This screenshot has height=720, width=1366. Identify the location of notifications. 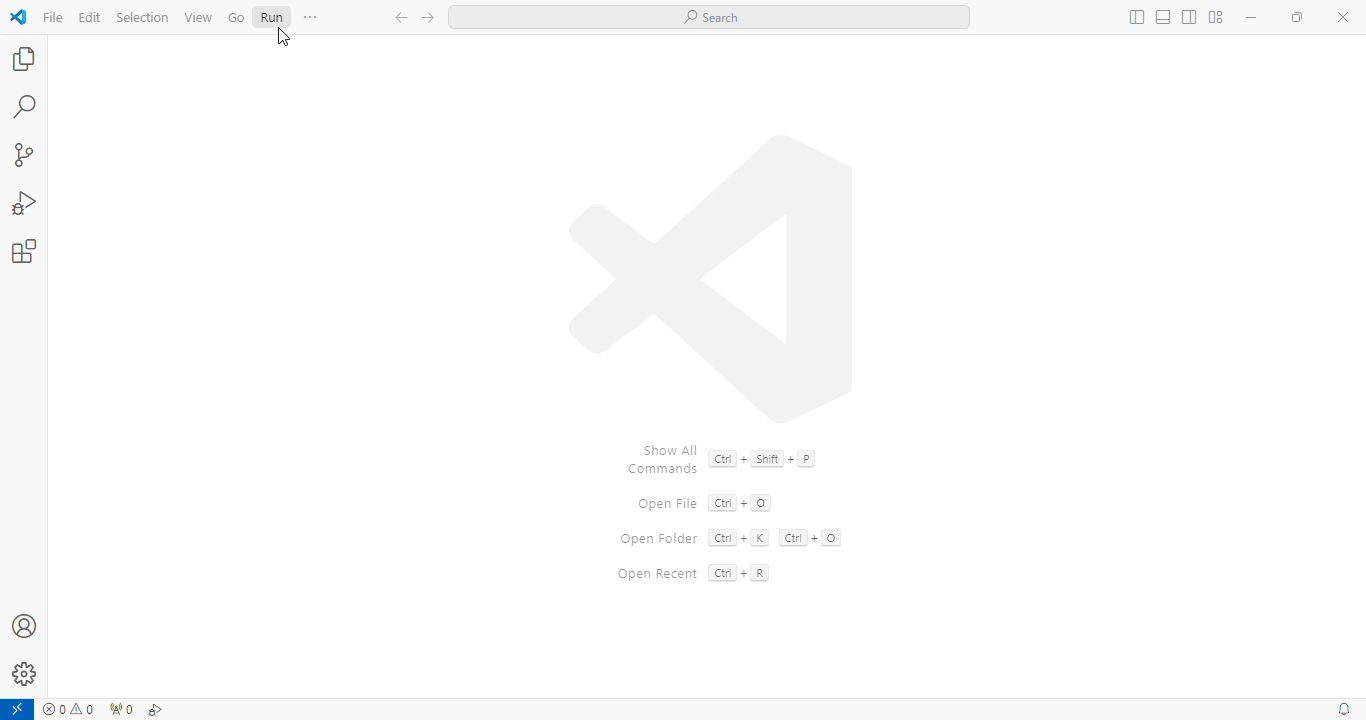
(1346, 710).